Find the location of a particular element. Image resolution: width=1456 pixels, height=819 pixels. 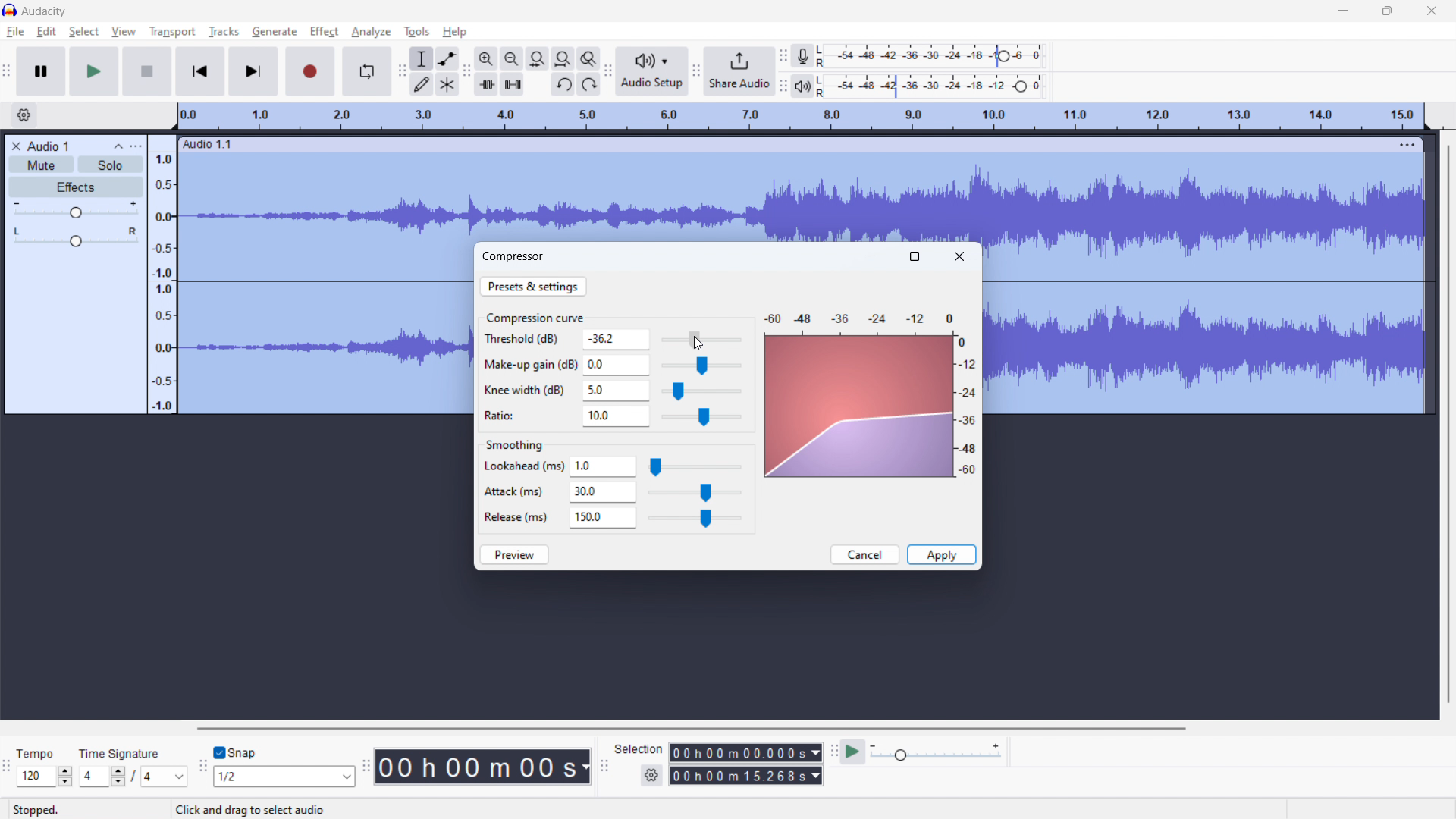

hold to move is located at coordinates (789, 143).